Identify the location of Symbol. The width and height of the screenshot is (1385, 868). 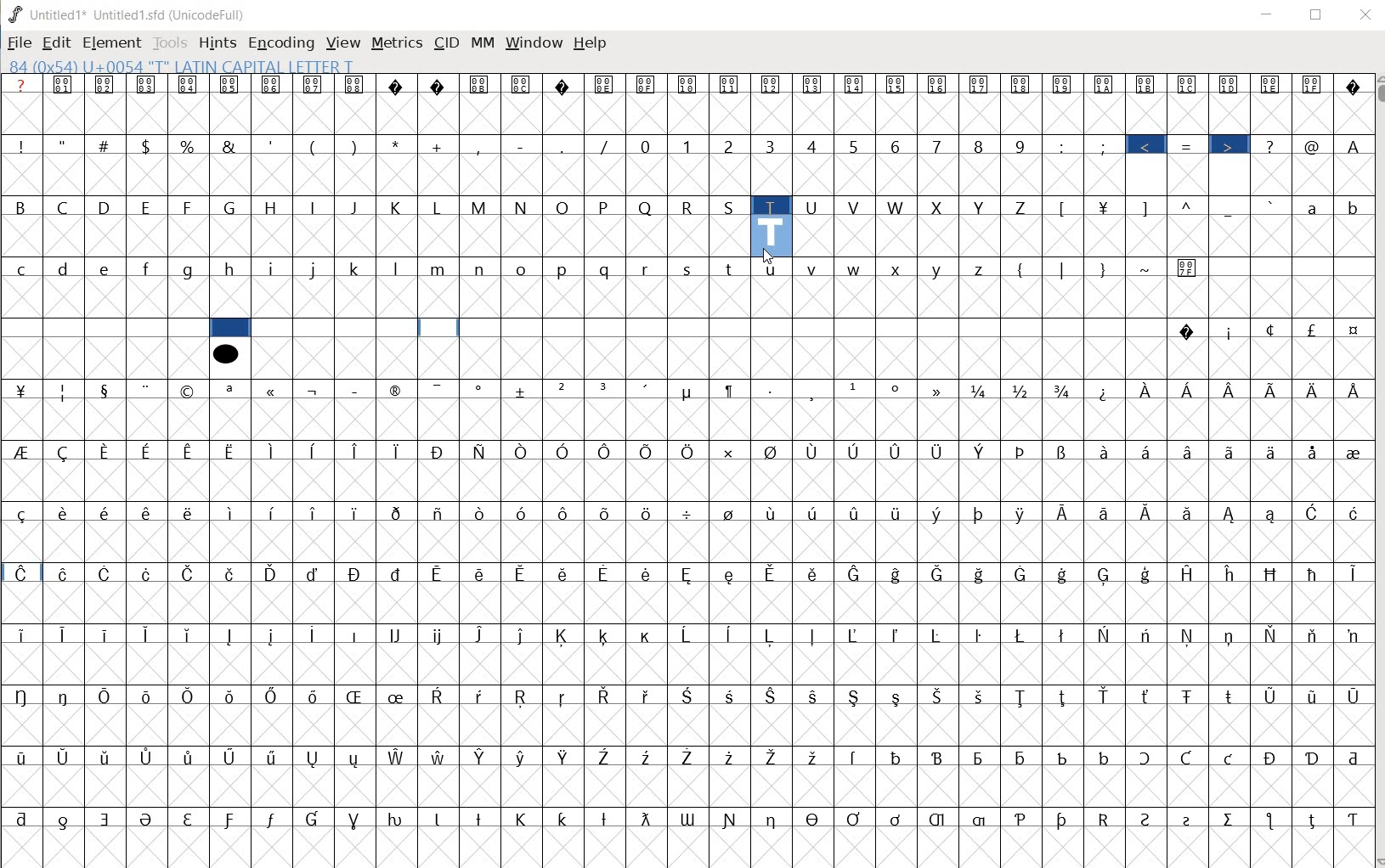
(357, 451).